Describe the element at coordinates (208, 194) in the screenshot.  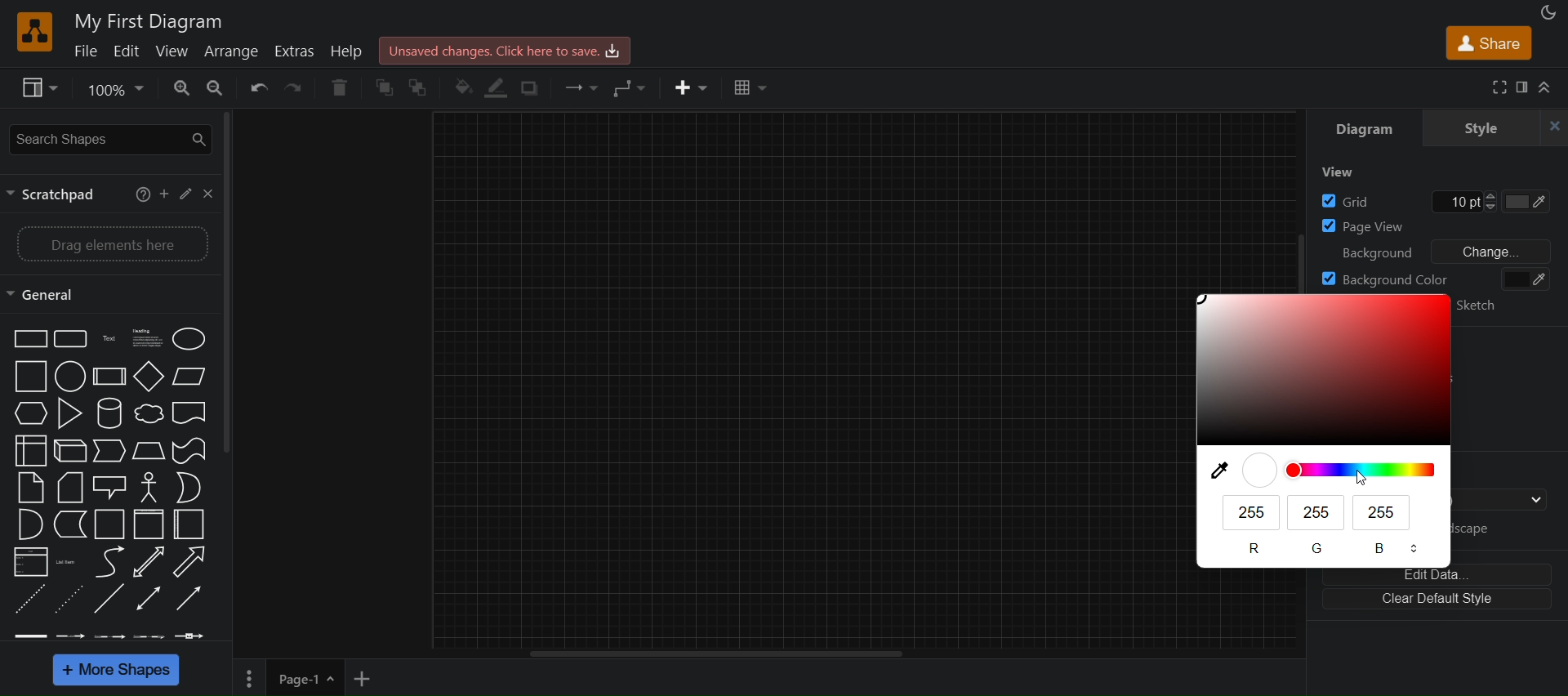
I see `close` at that location.